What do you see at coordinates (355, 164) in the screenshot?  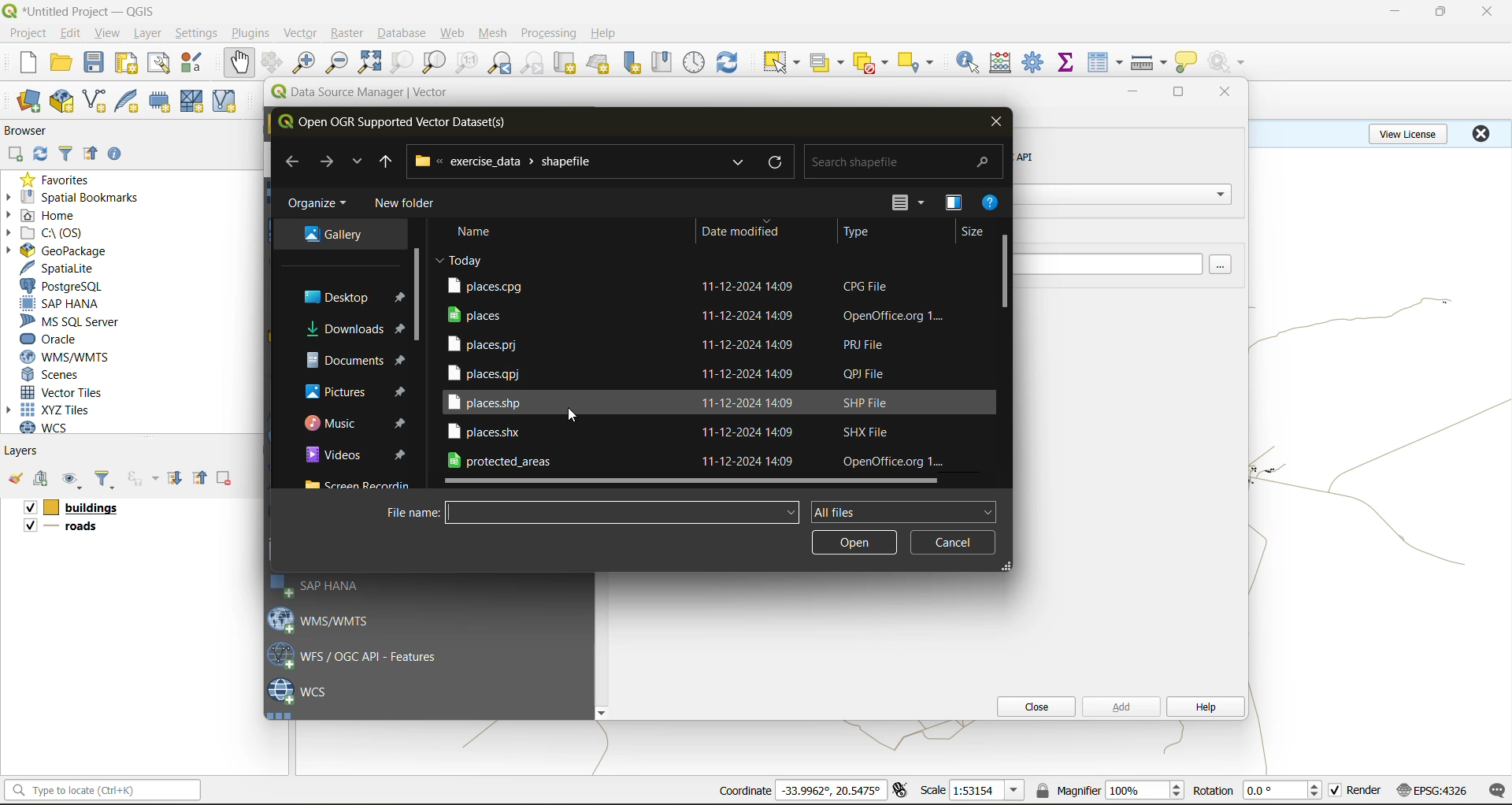 I see `recent locations` at bounding box center [355, 164].